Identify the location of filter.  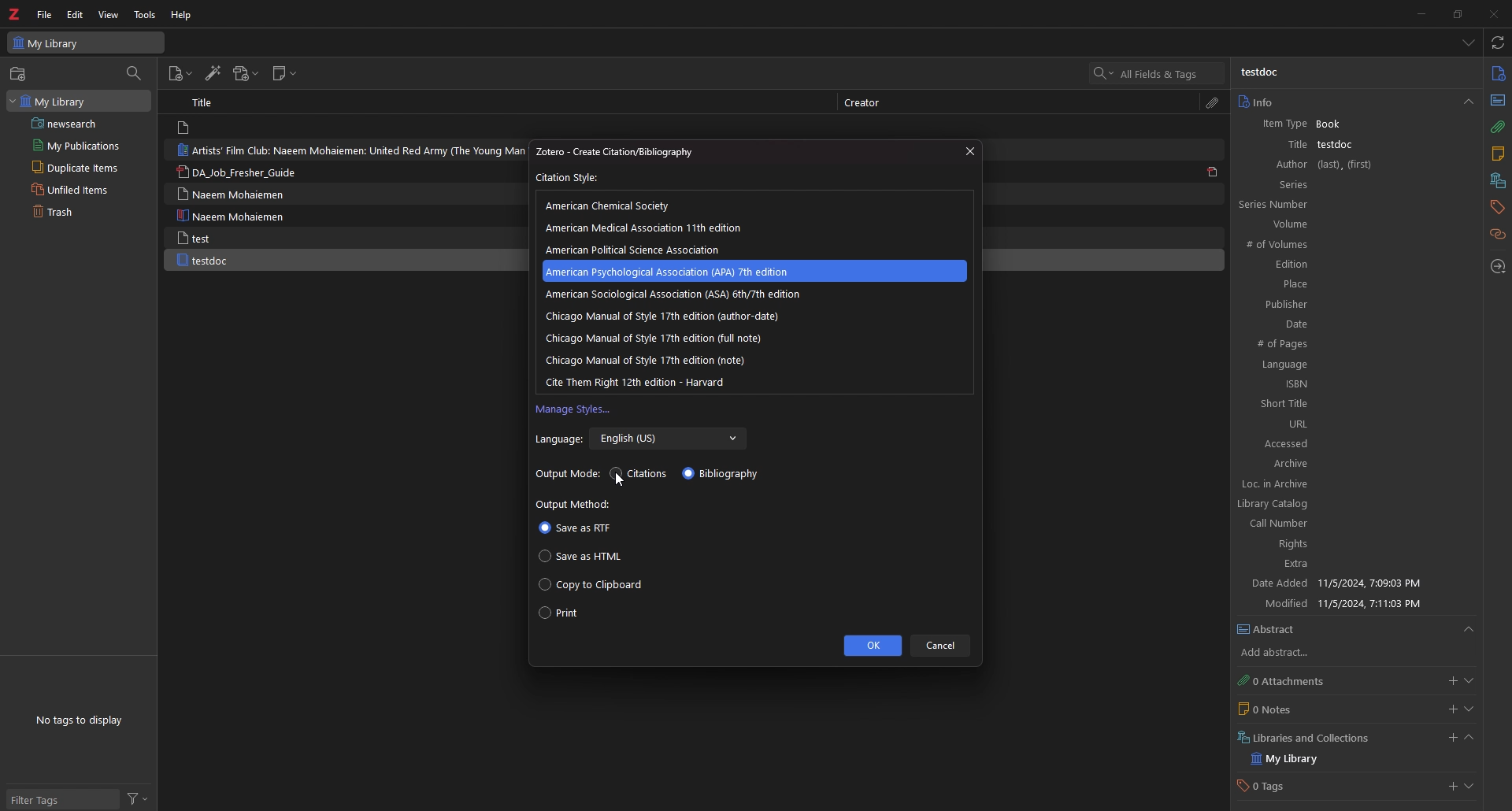
(138, 799).